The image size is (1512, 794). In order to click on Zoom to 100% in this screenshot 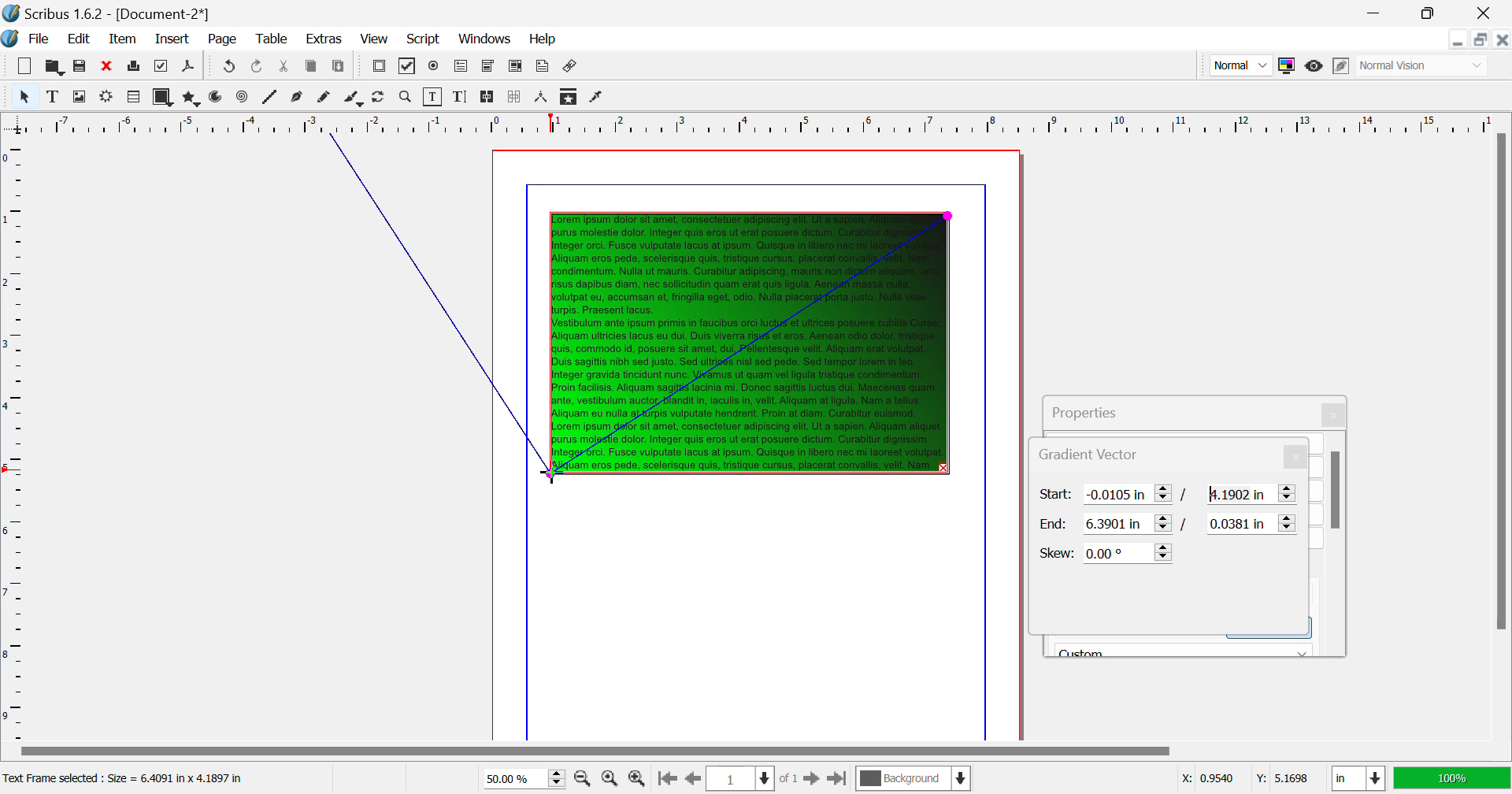, I will do `click(610, 778)`.